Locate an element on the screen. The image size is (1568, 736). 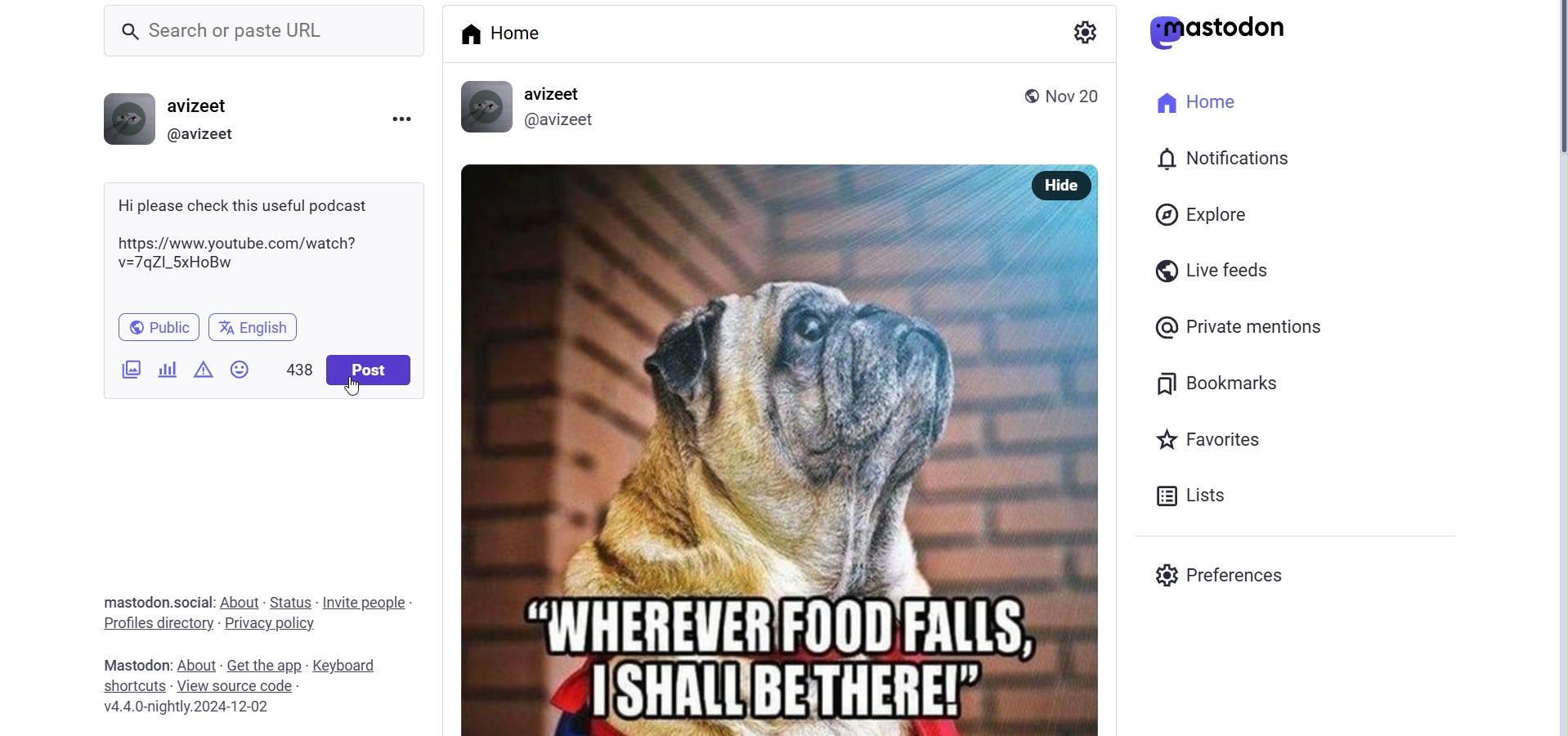
keyboard is located at coordinates (353, 663).